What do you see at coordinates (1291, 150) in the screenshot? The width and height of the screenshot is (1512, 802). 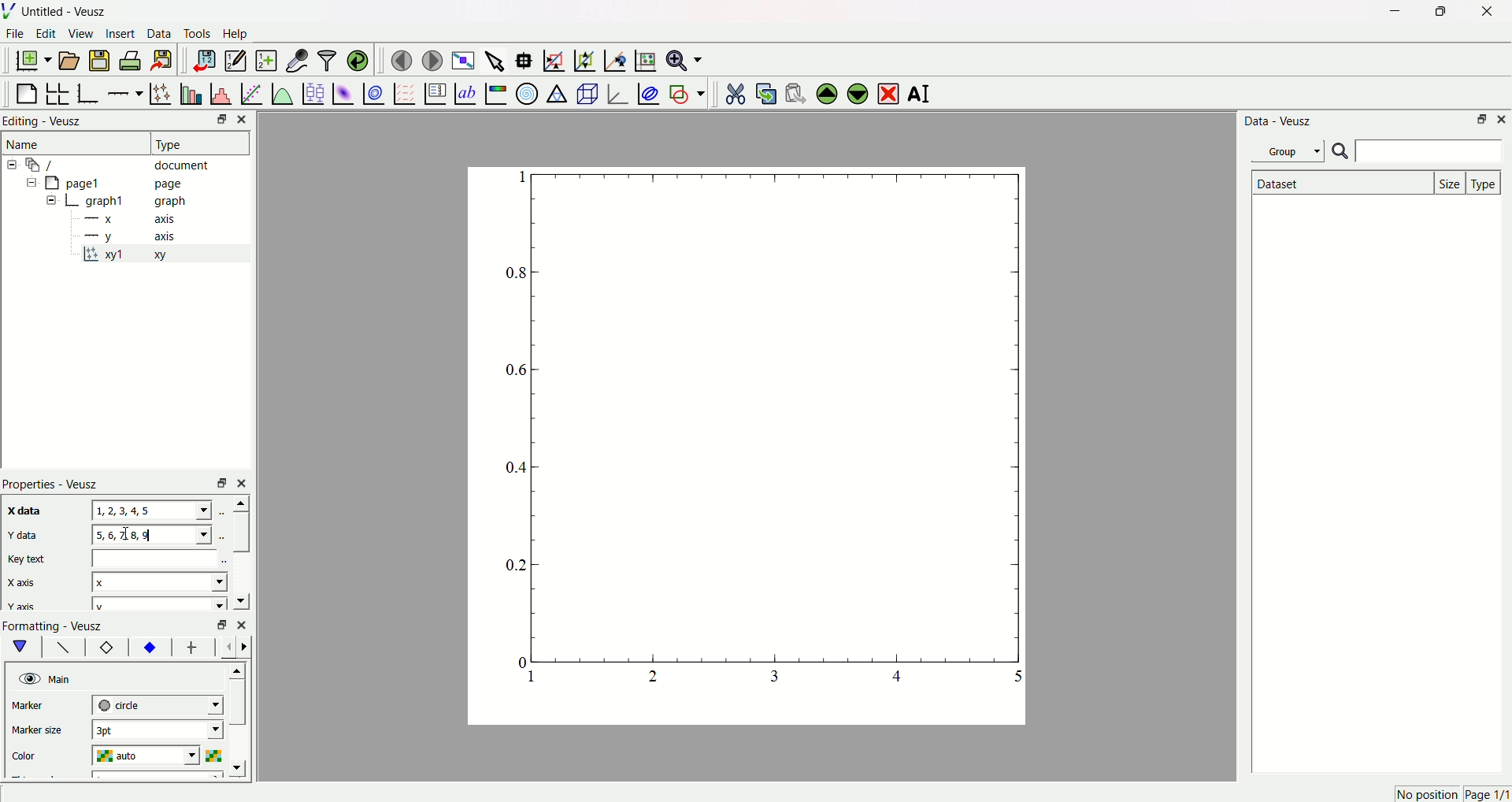 I see `Group` at bounding box center [1291, 150].